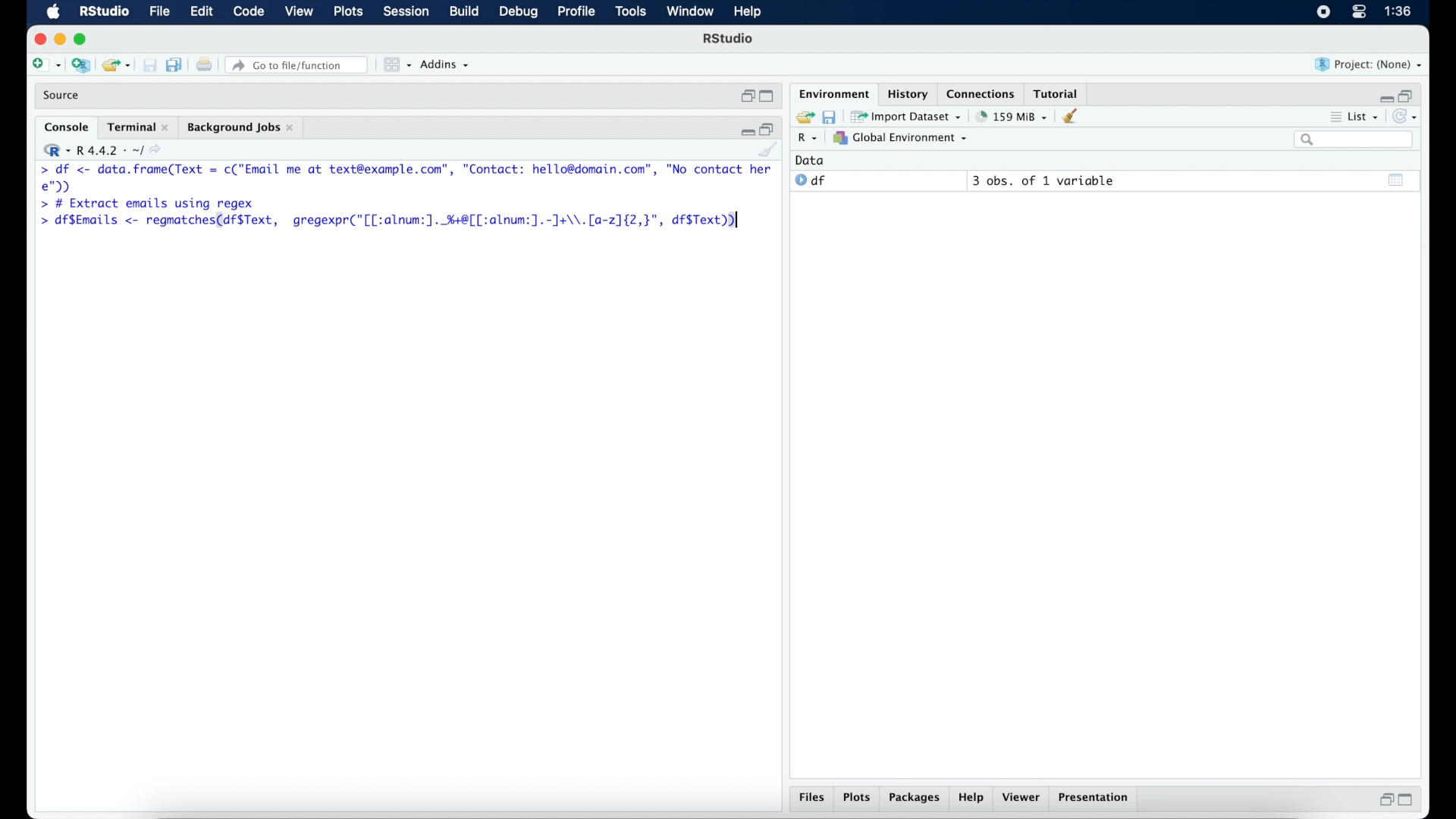 The width and height of the screenshot is (1456, 819). I want to click on > df <- Se renee = c("Email me at text@example.com”, "Contact: hello@domain.com”, "No contact
here");, so click(406, 178).